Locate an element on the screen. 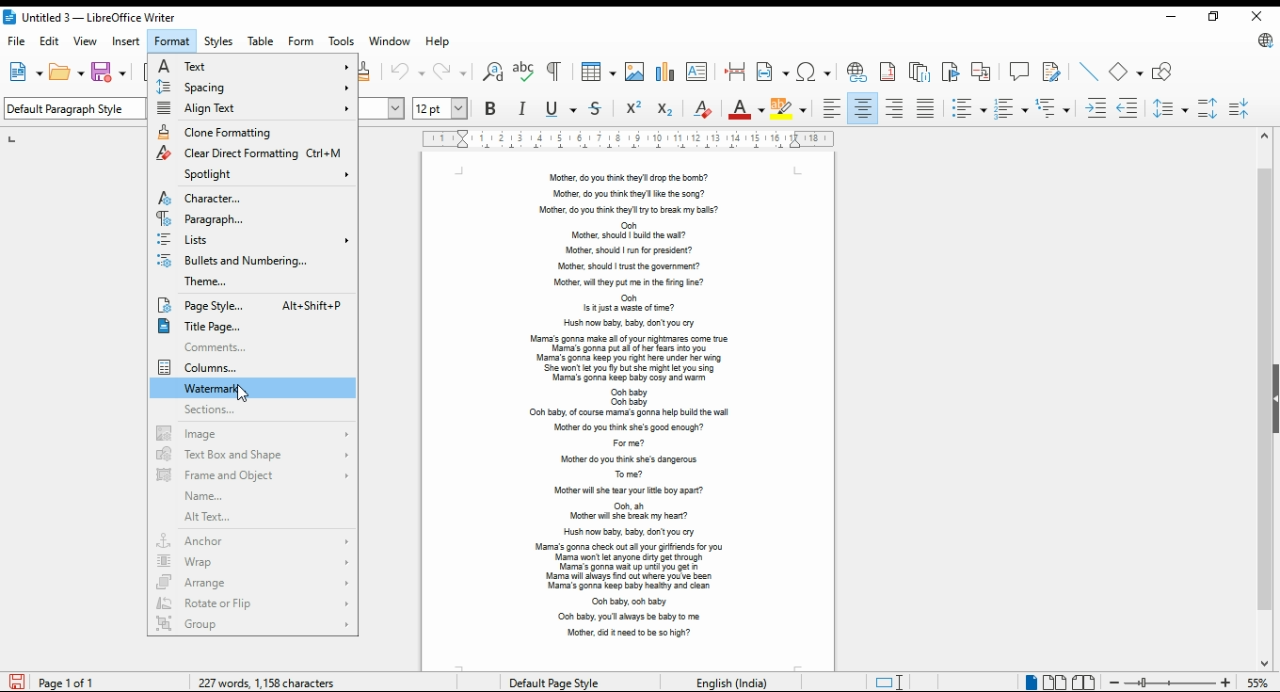 This screenshot has width=1280, height=692. show track changes functions is located at coordinates (1052, 72).